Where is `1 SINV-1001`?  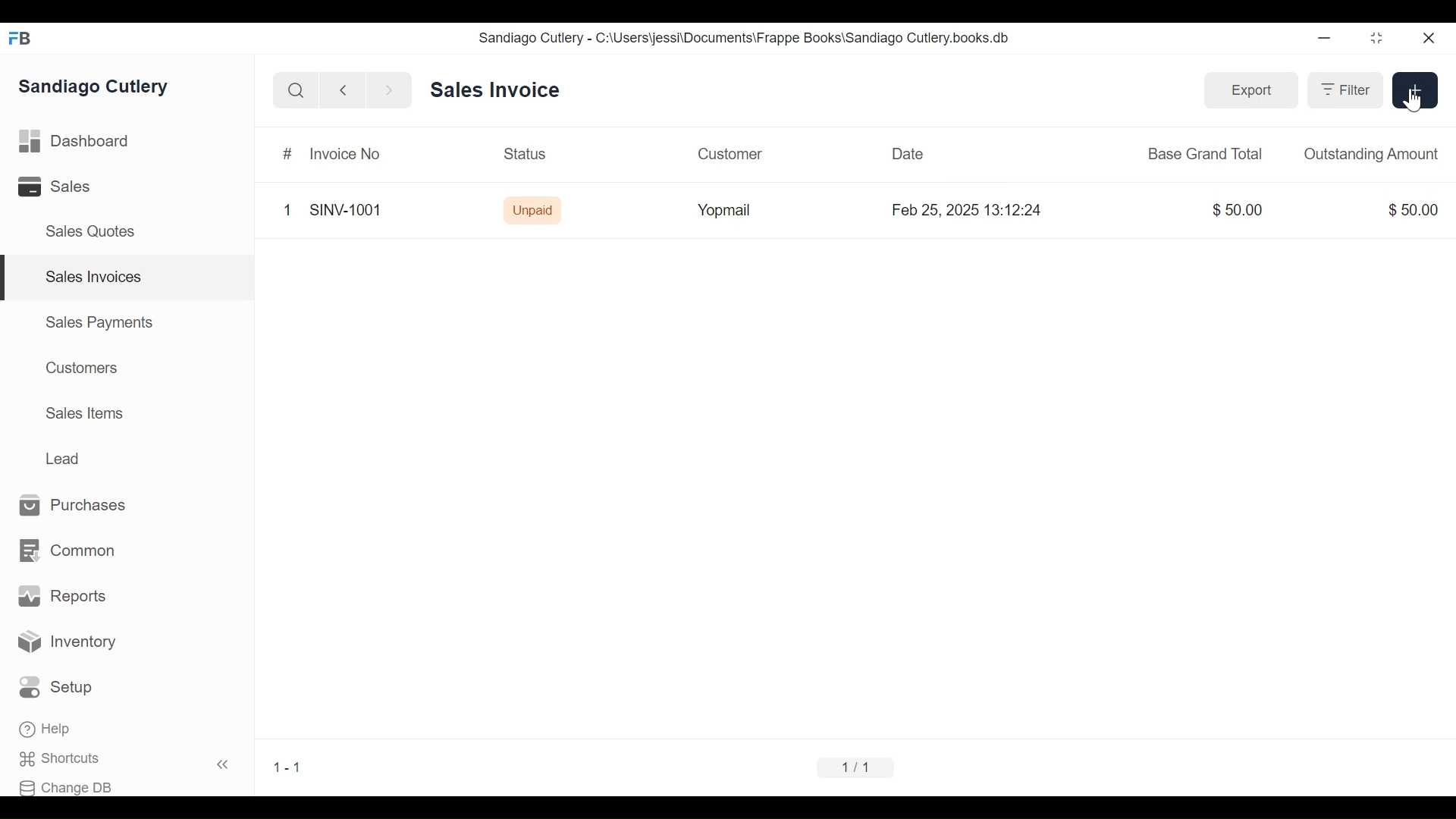 1 SINV-1001 is located at coordinates (327, 210).